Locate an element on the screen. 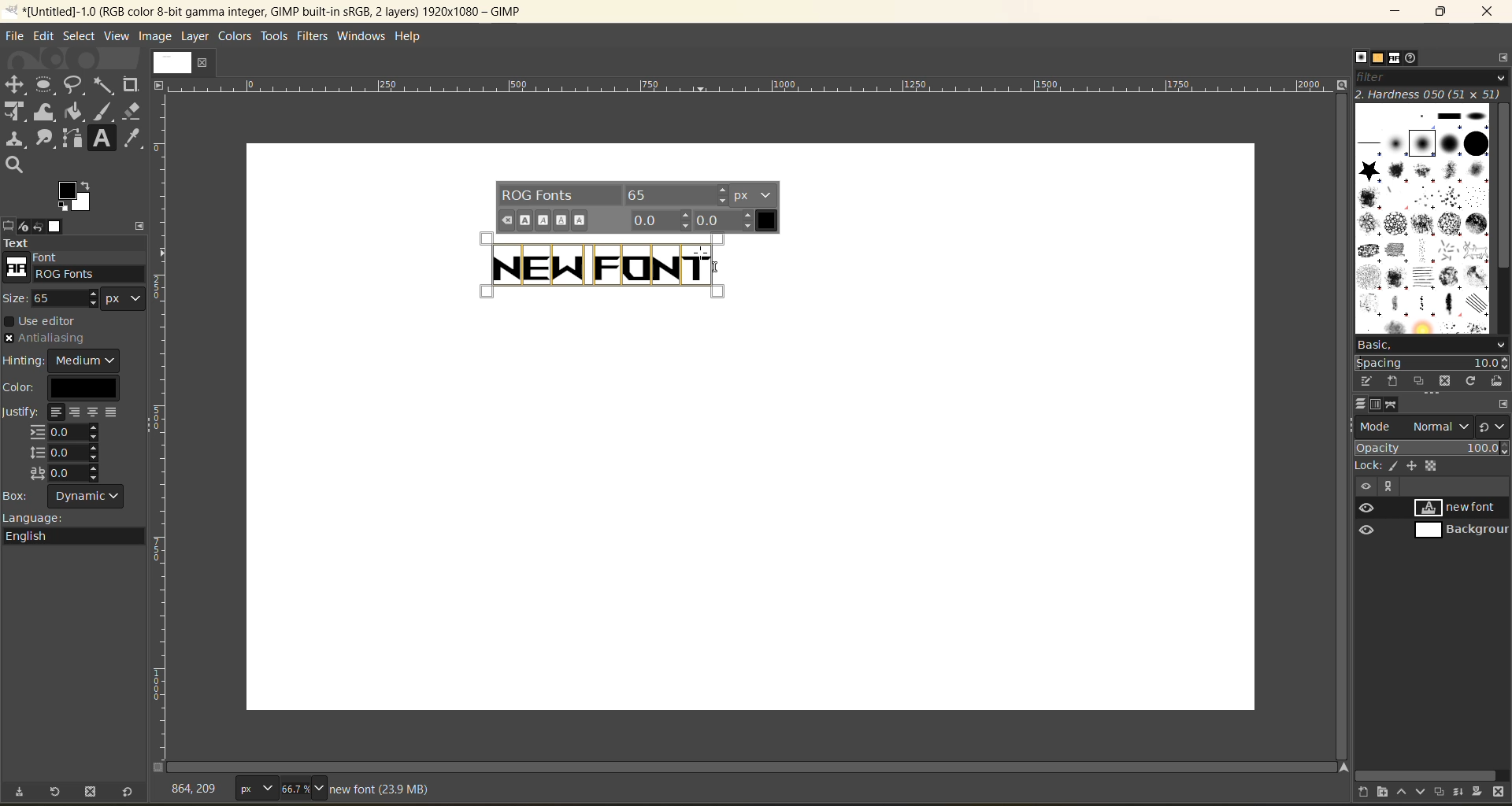 This screenshot has height=806, width=1512. duplicate this brush is located at coordinates (1422, 381).